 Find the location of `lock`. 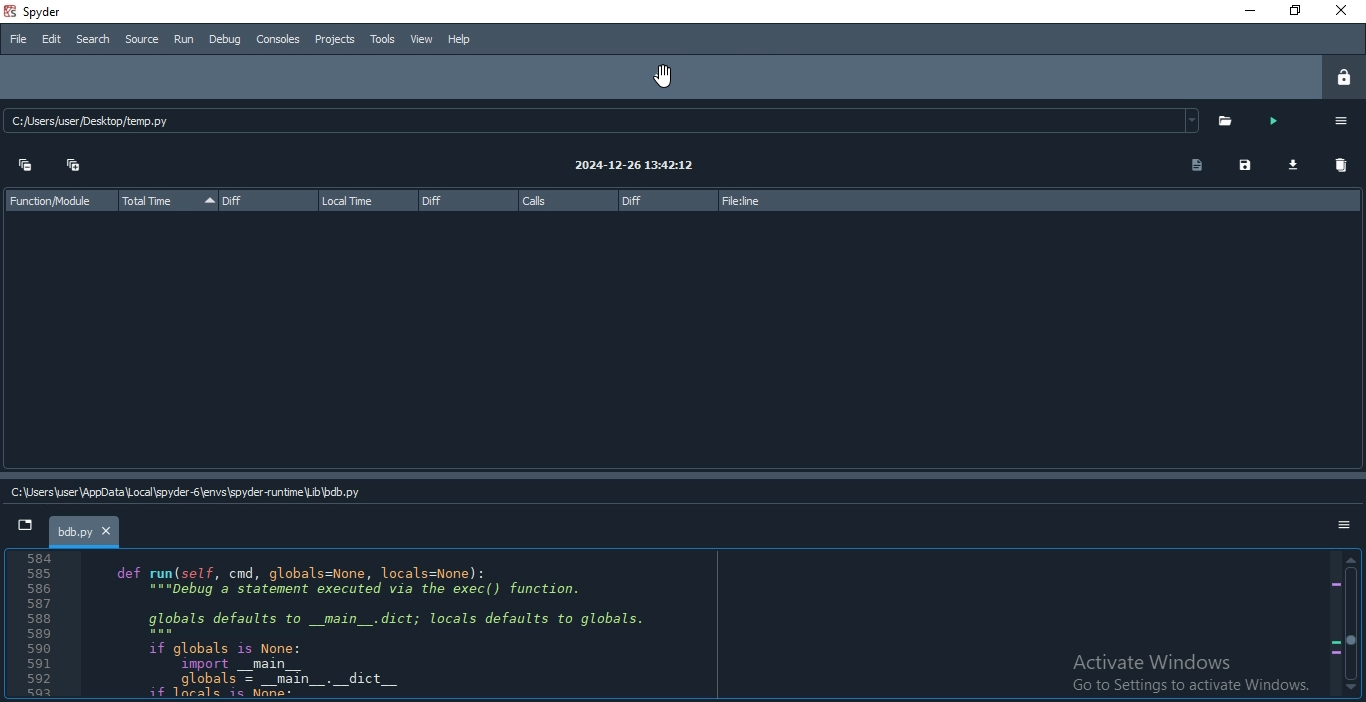

lock is located at coordinates (1346, 76).